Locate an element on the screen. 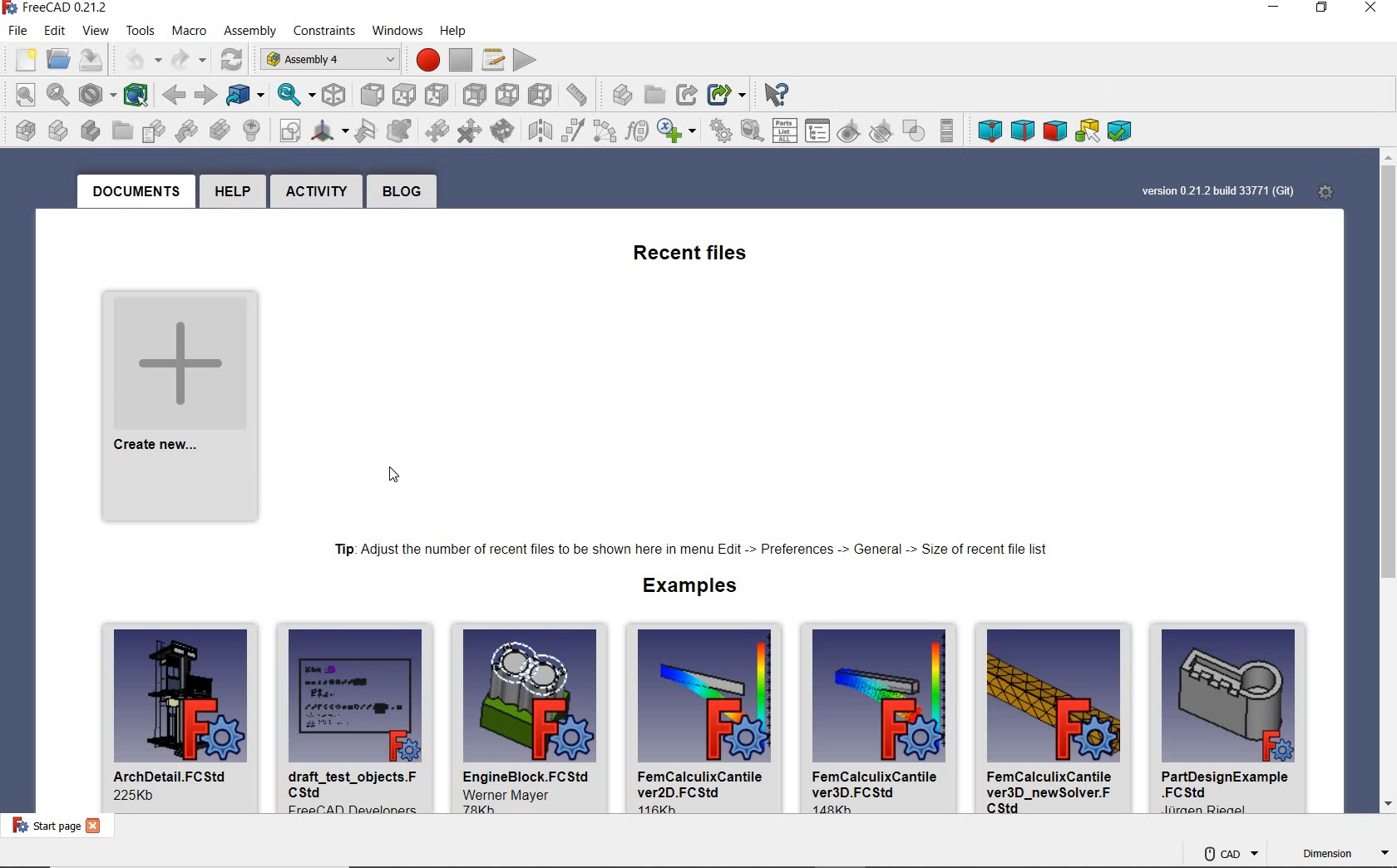 This screenshot has width=1397, height=868. bill of materials is located at coordinates (786, 131).